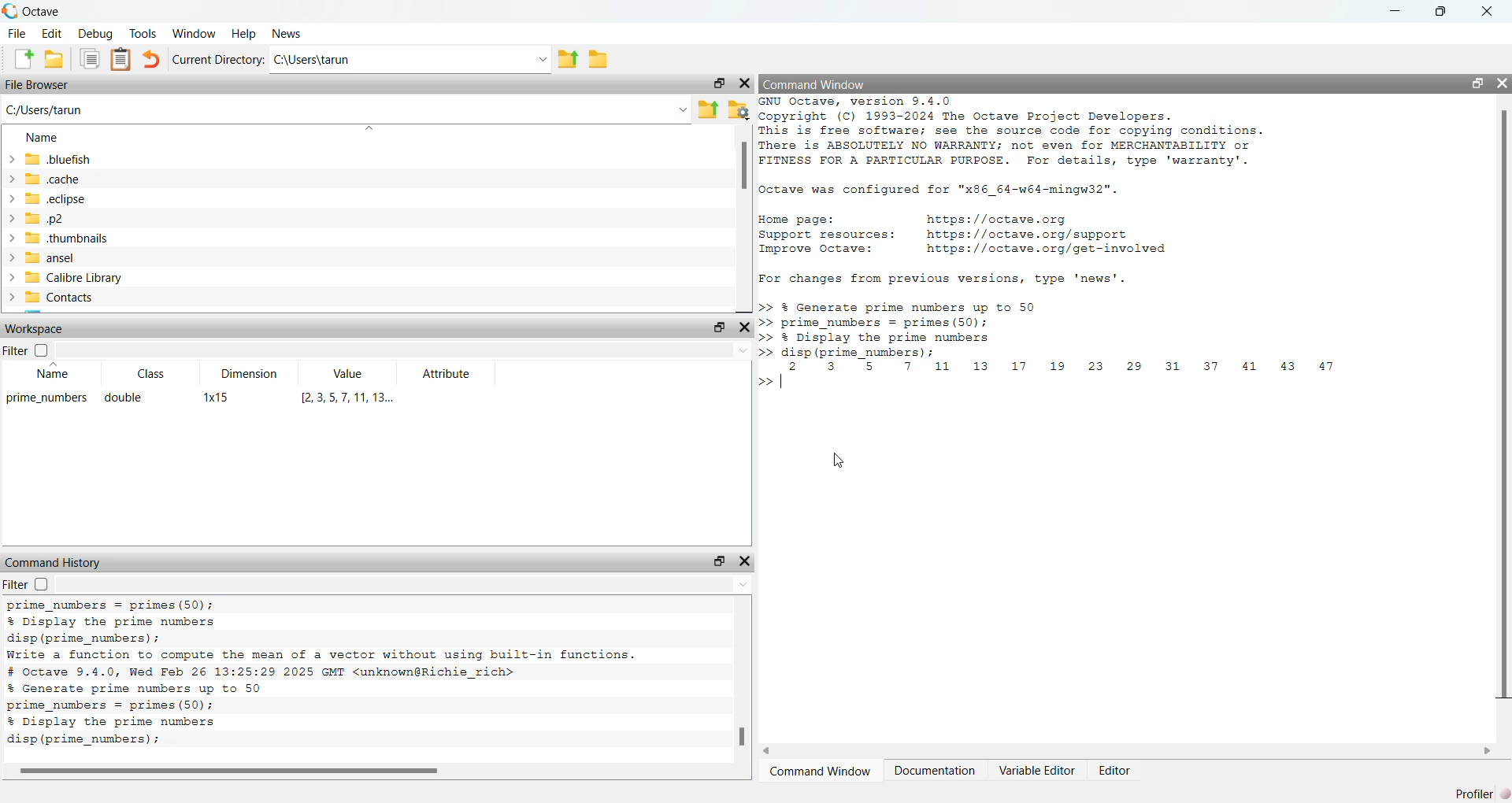  I want to click on news, so click(288, 35).